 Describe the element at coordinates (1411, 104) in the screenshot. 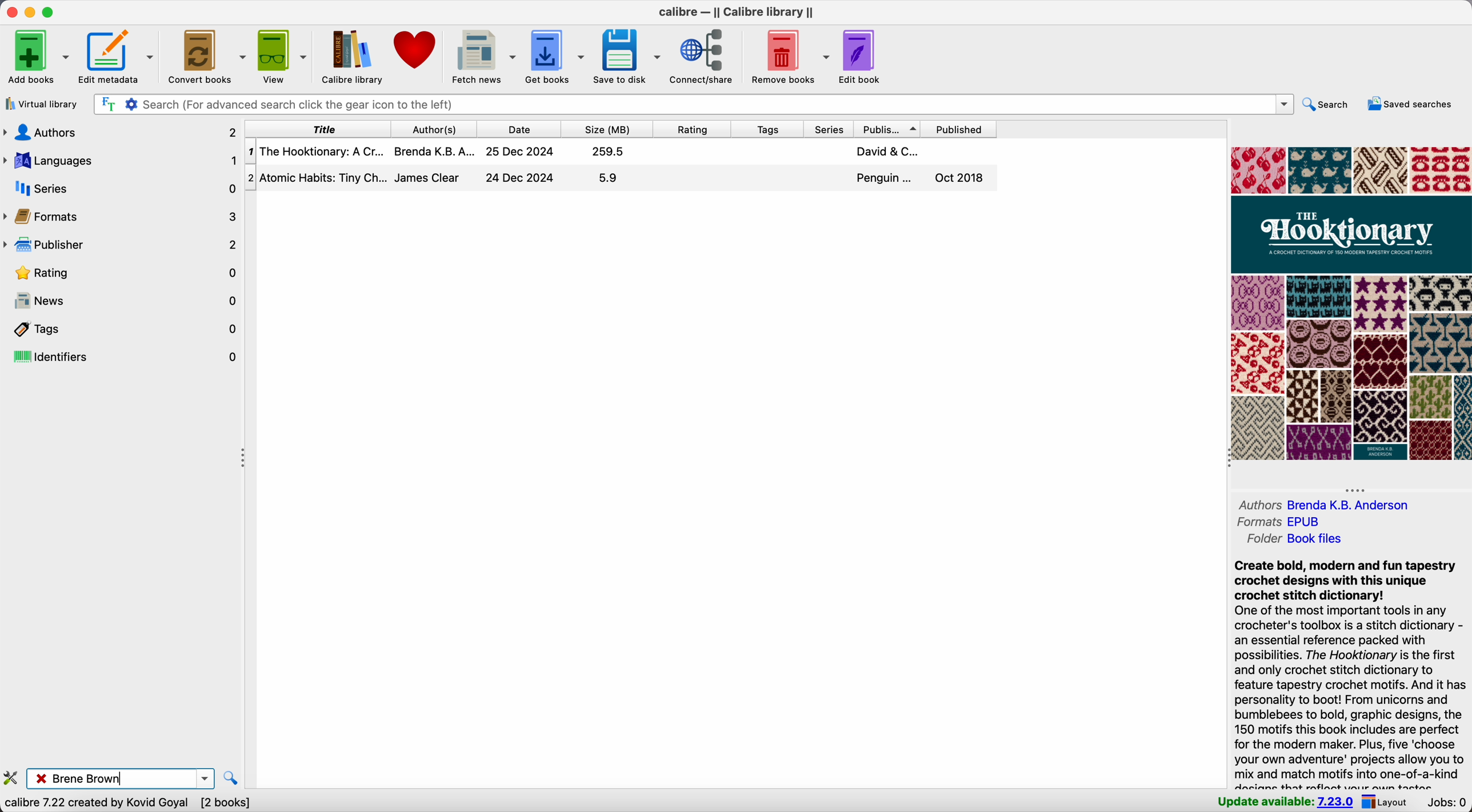

I see `saved searches` at that location.